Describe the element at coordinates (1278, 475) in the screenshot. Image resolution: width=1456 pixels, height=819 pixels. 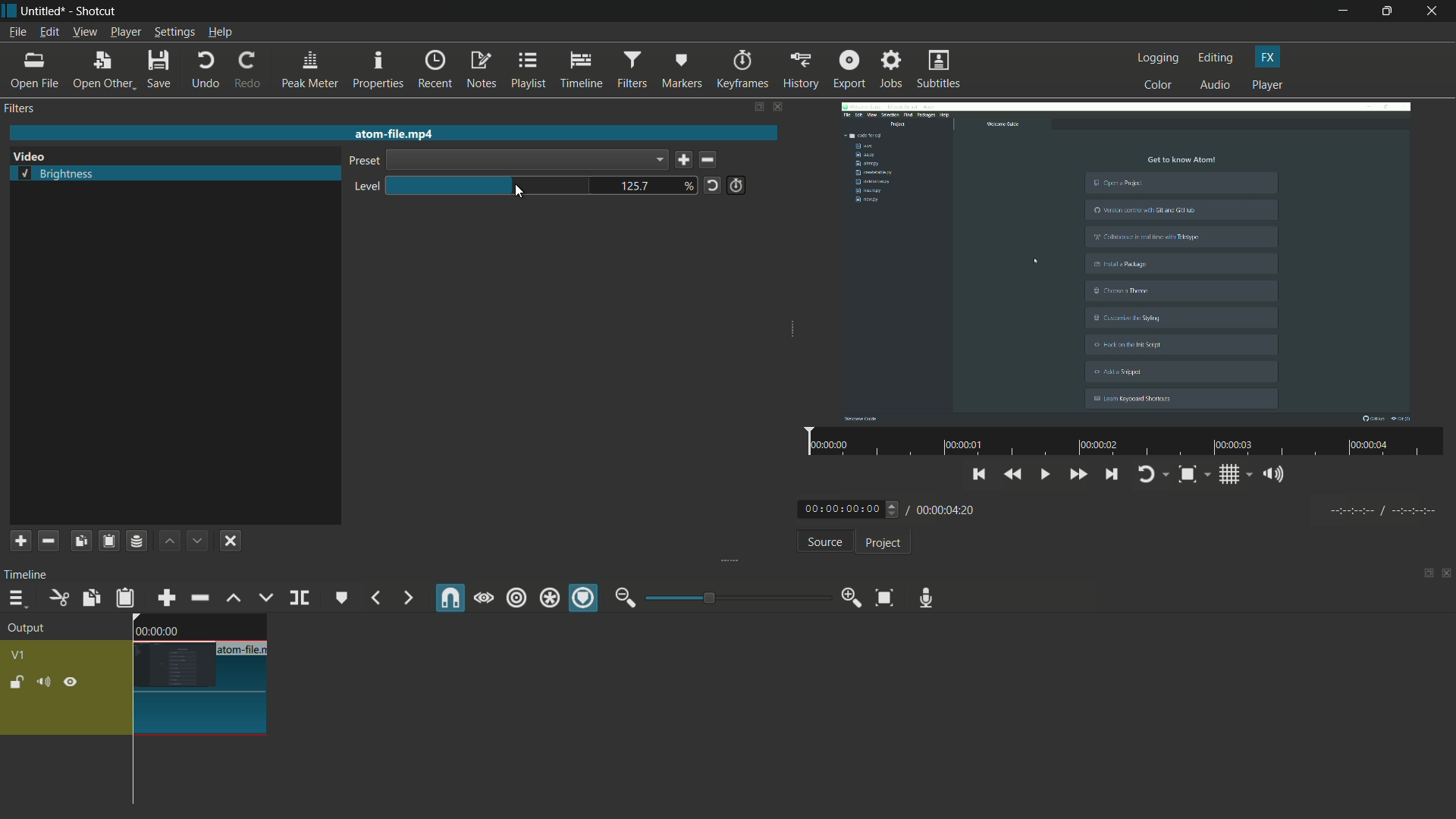
I see `show the volume control` at that location.